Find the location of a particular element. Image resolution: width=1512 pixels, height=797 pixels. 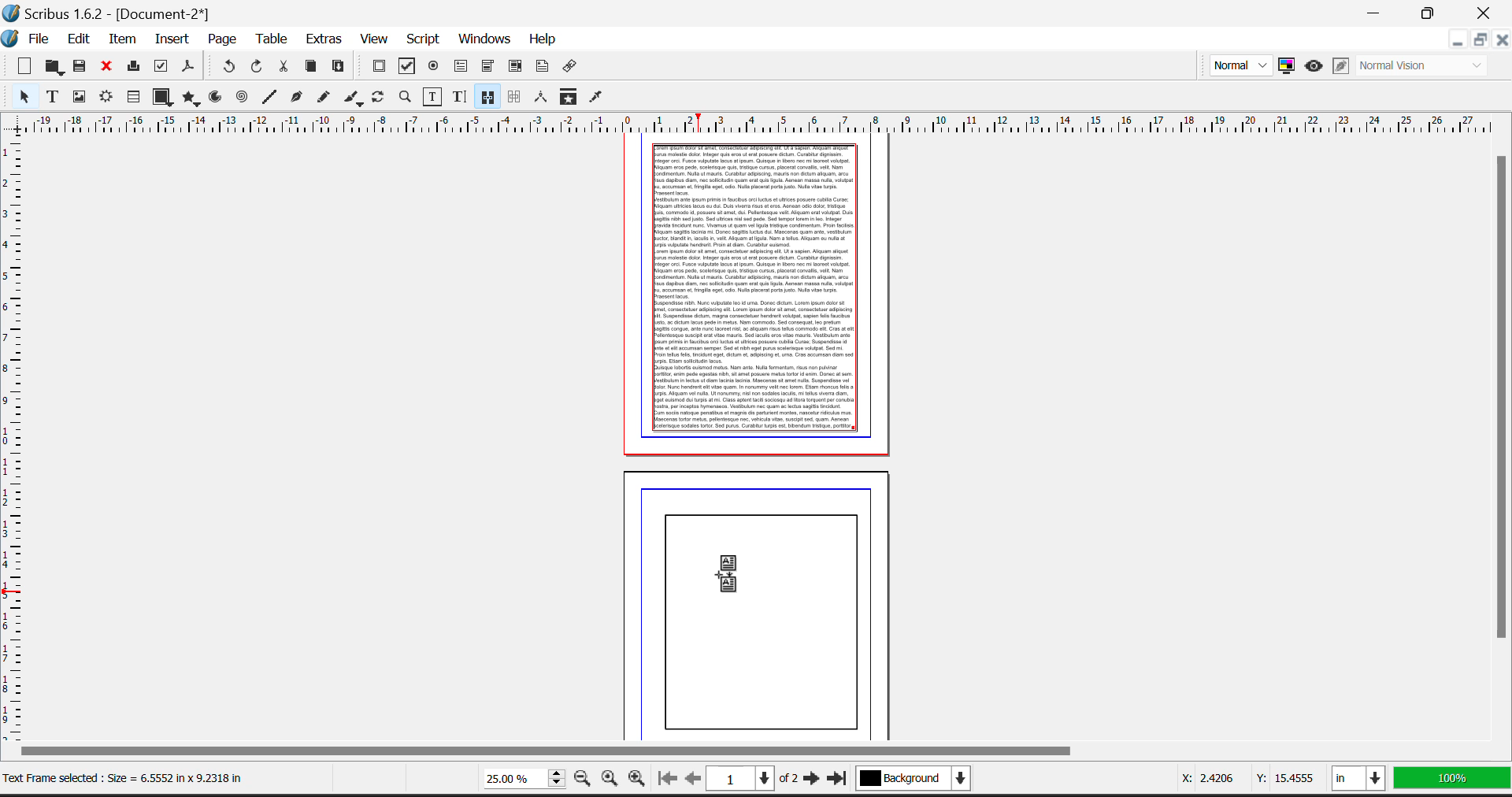

Polygons is located at coordinates (190, 98).